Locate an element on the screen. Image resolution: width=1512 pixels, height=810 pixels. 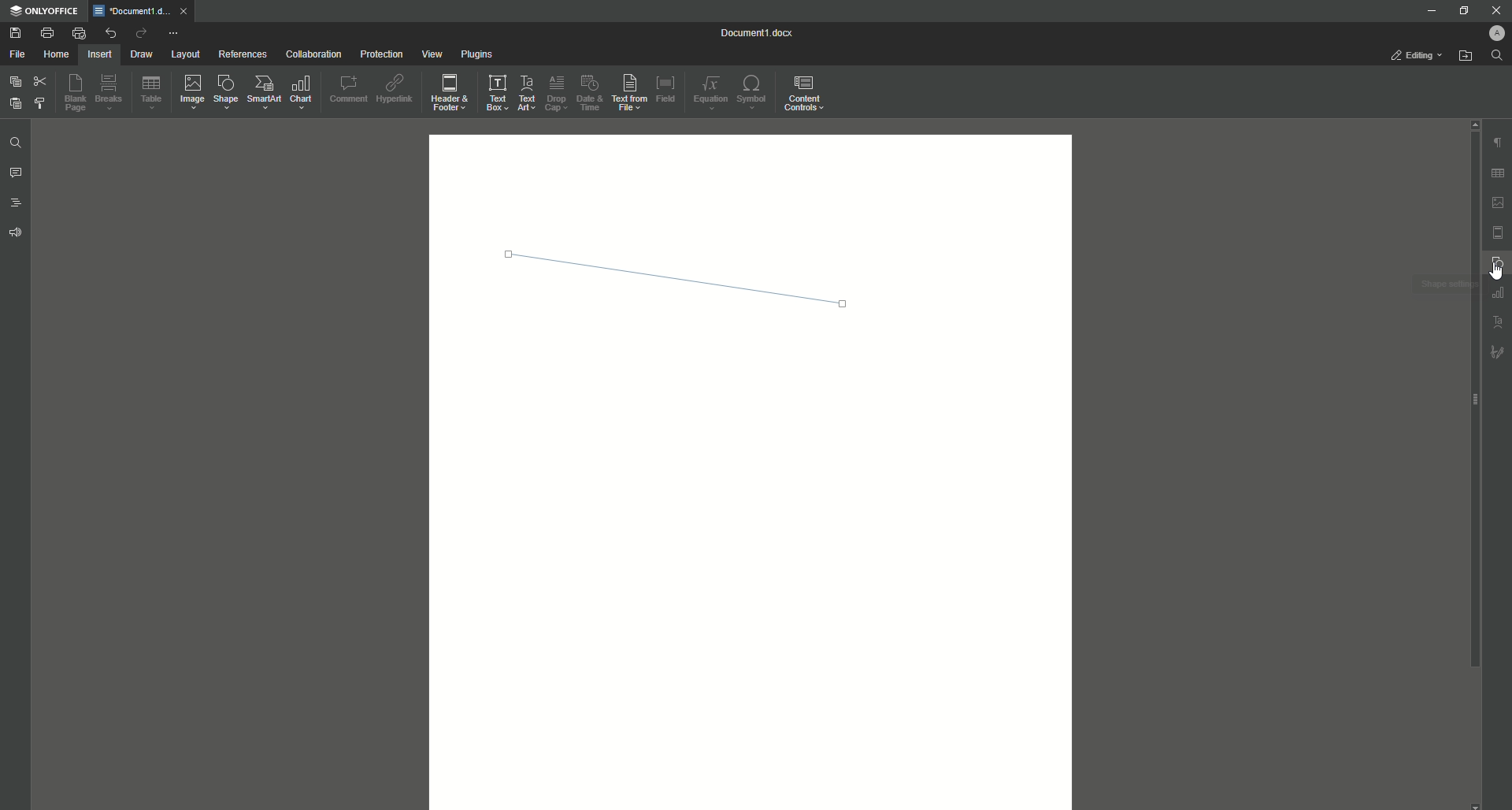
Editing is located at coordinates (1412, 56).